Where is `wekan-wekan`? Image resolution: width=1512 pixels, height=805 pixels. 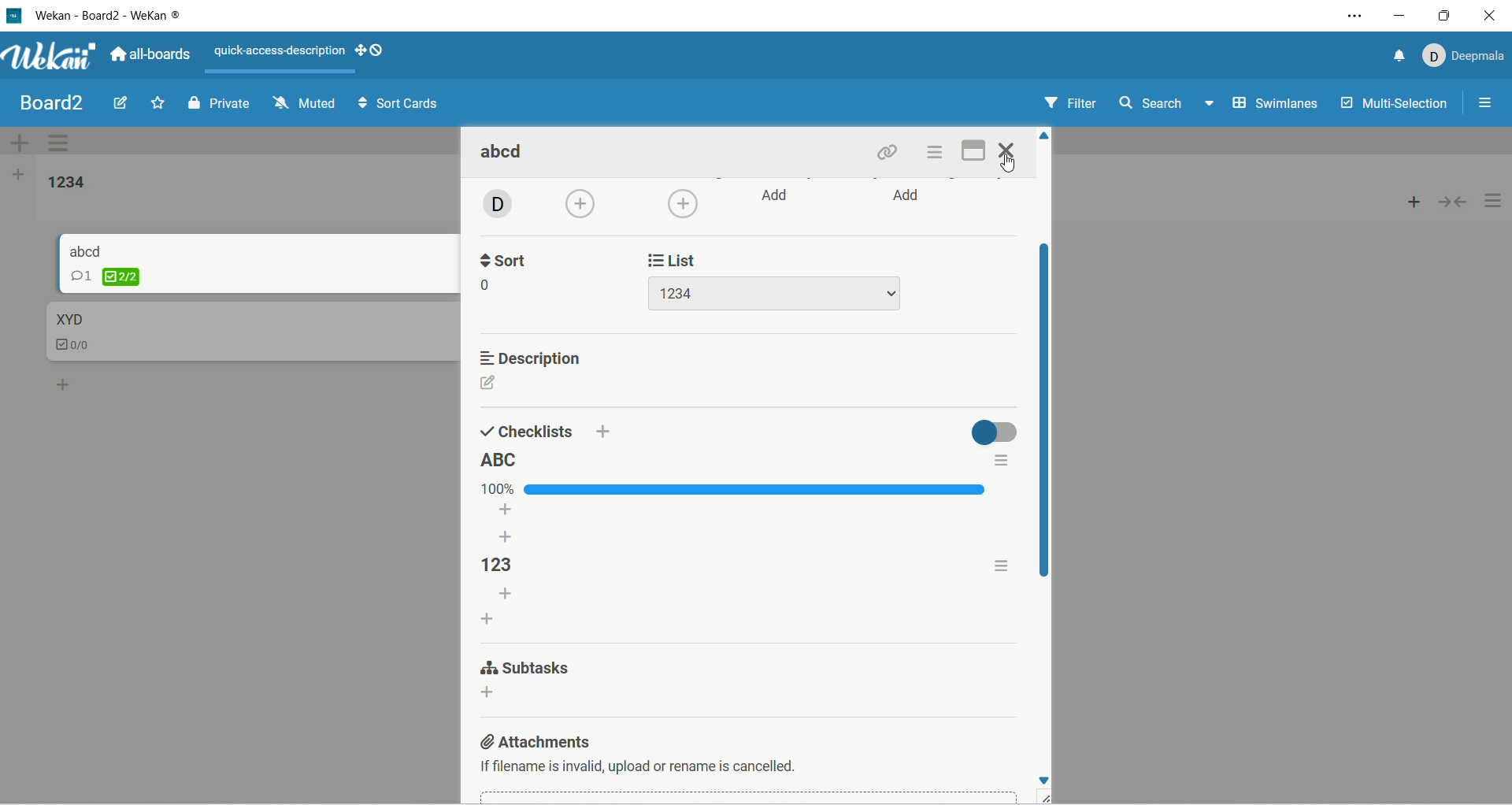
wekan-wekan is located at coordinates (109, 16).